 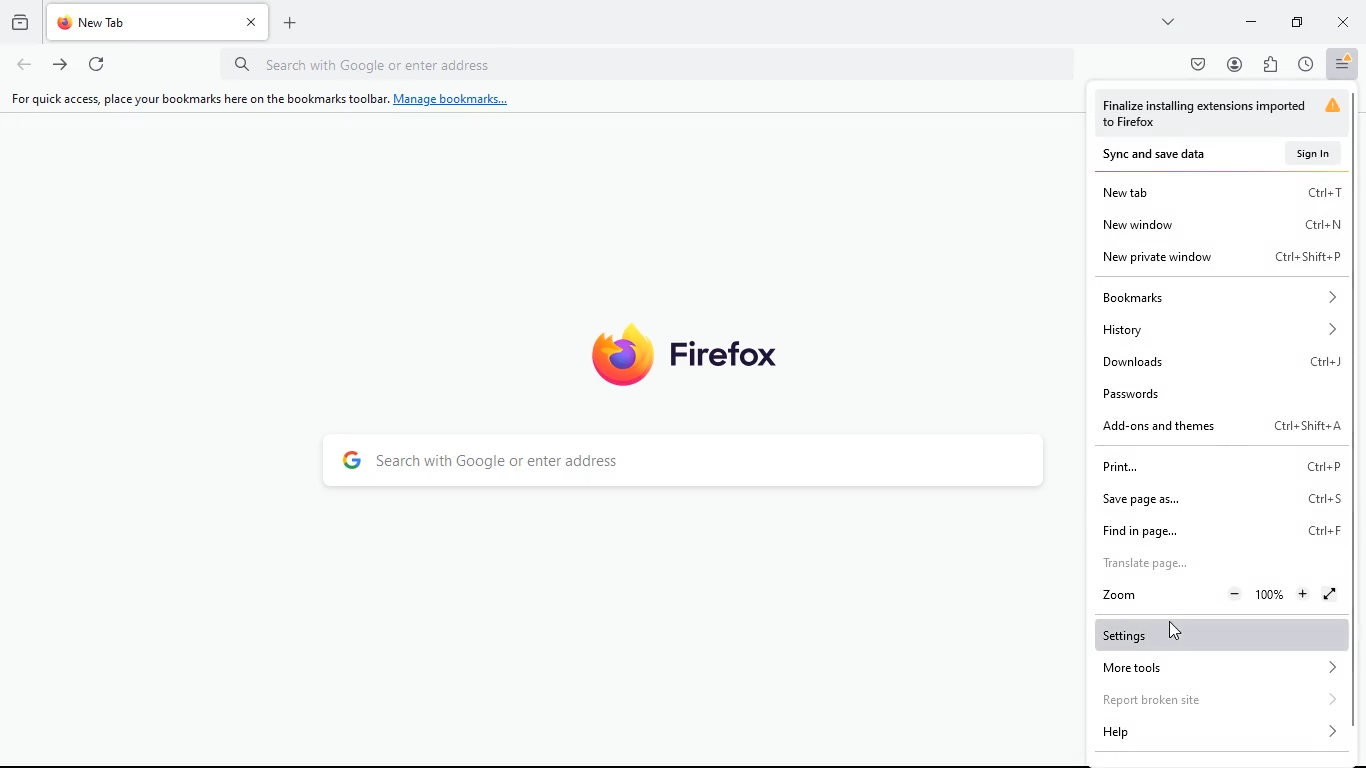 I want to click on sync and save data, so click(x=1171, y=154).